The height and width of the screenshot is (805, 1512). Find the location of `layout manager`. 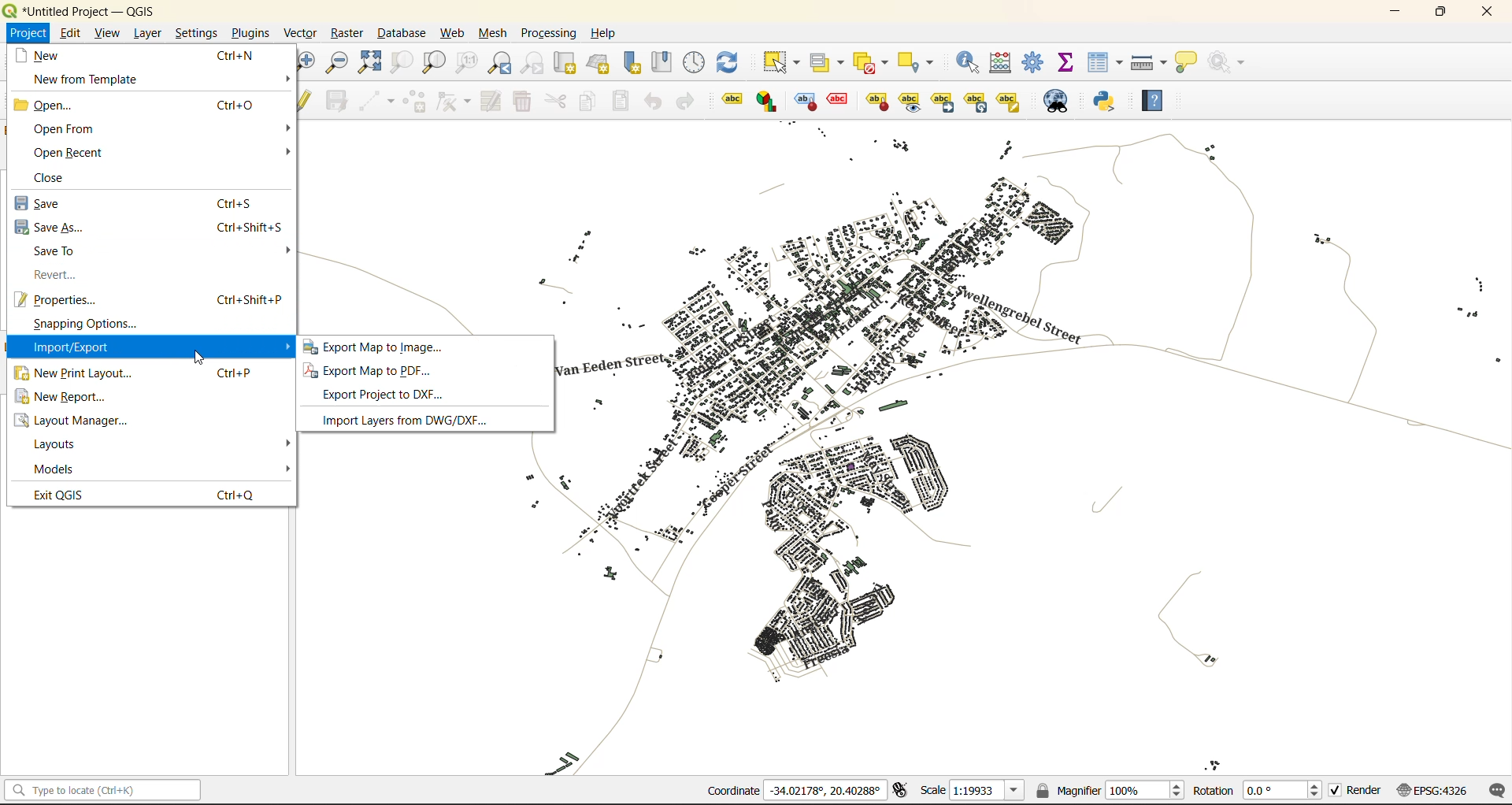

layout manager is located at coordinates (83, 421).